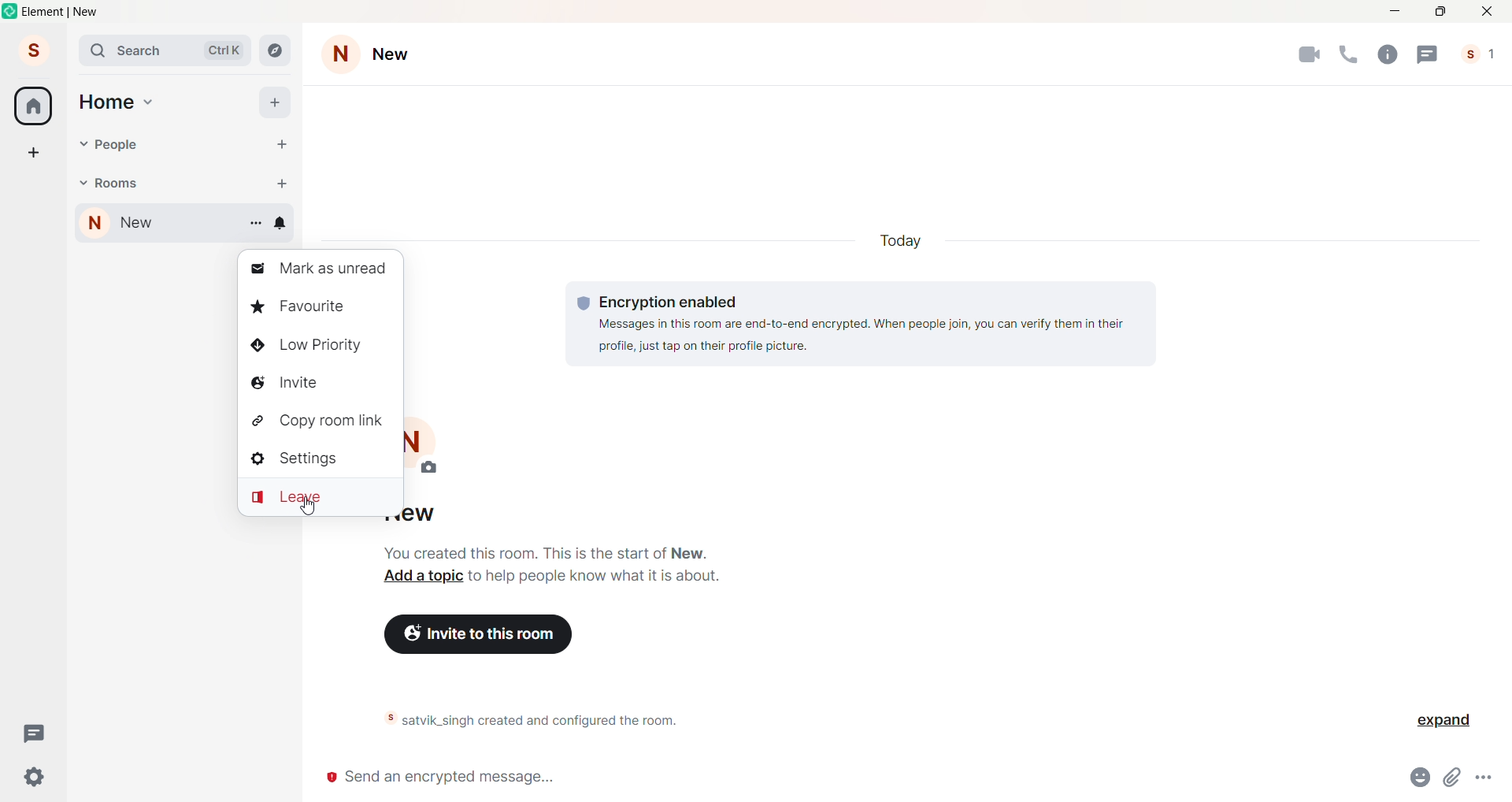 This screenshot has height=802, width=1512. I want to click on Today, so click(906, 240).